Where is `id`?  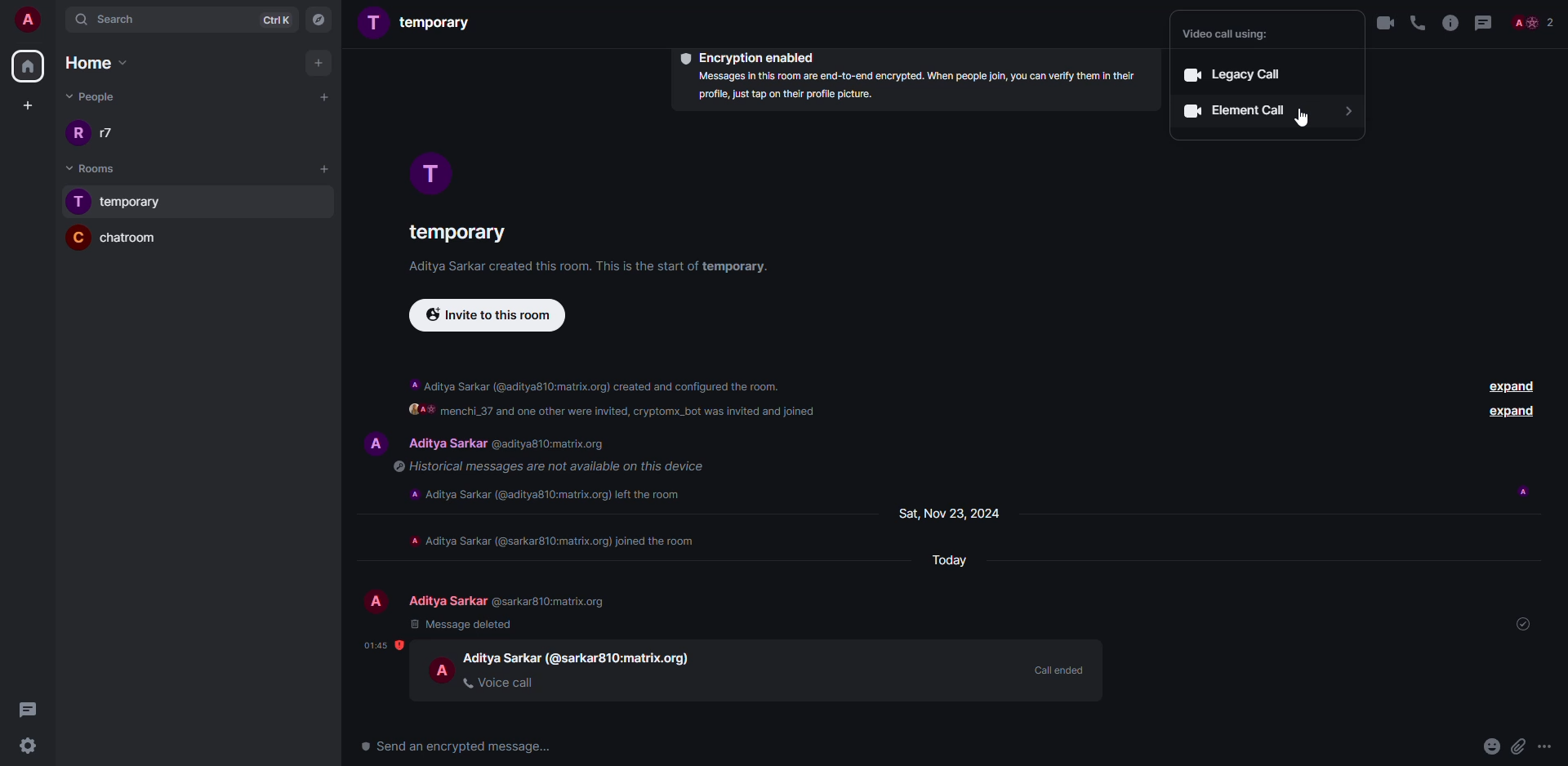 id is located at coordinates (556, 601).